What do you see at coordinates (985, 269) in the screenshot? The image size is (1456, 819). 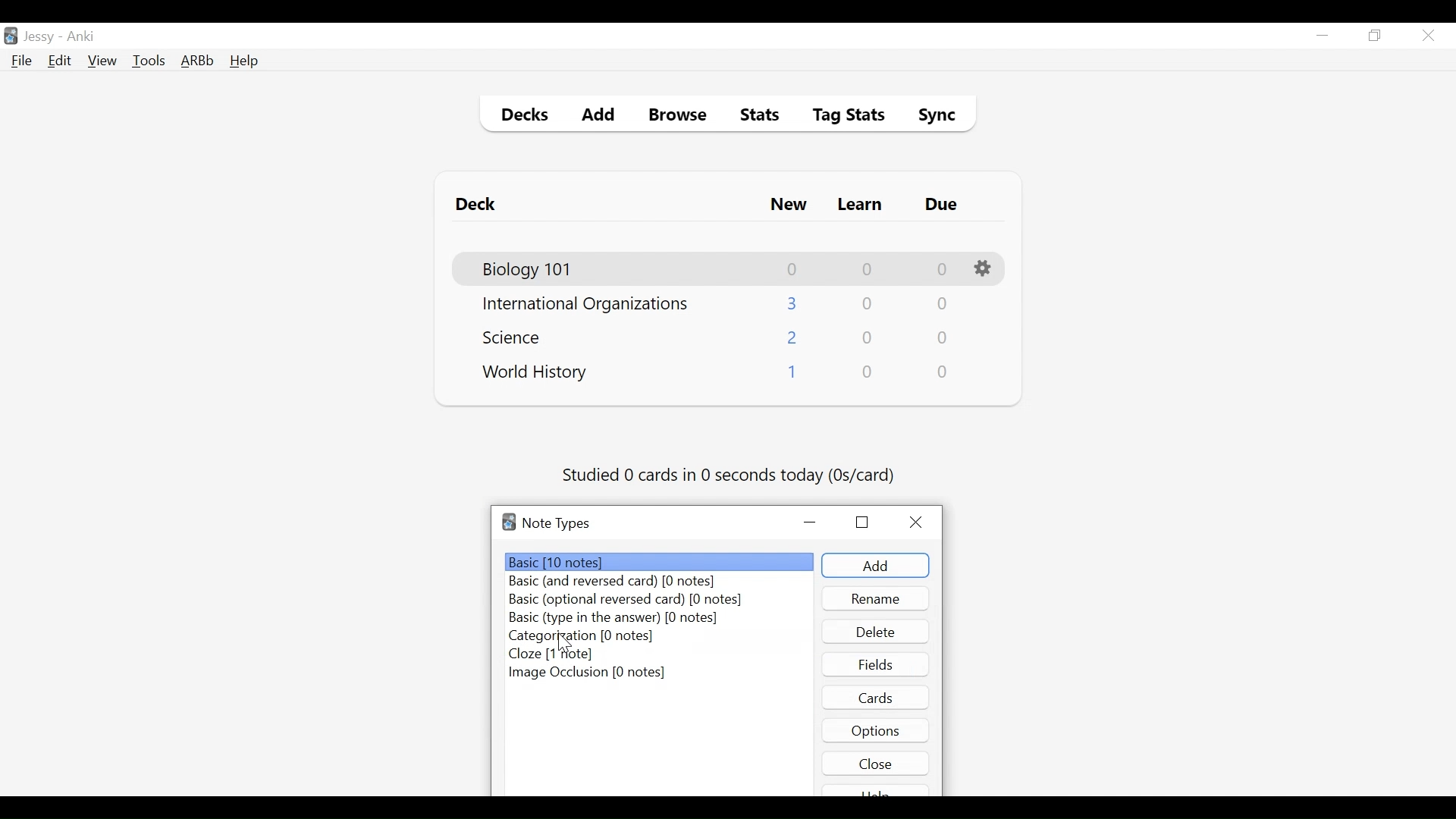 I see `Options` at bounding box center [985, 269].